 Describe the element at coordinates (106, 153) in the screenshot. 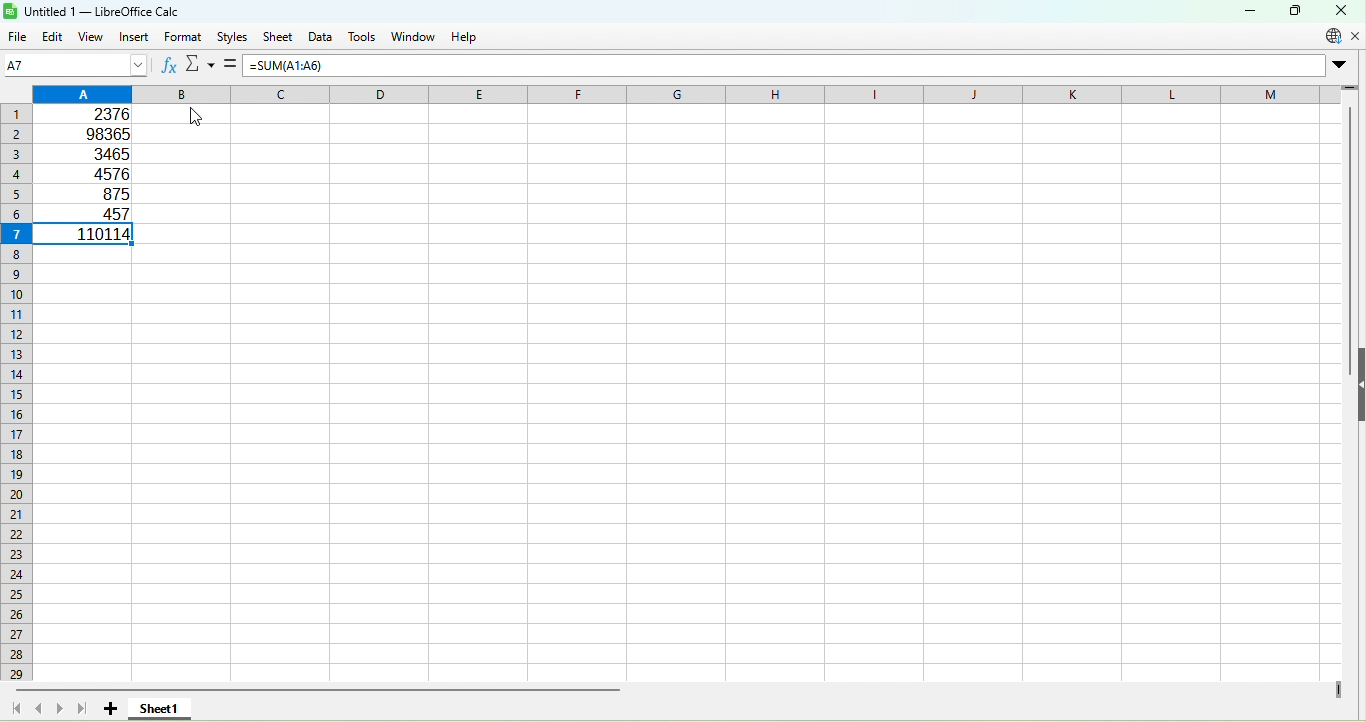

I see `3465` at that location.